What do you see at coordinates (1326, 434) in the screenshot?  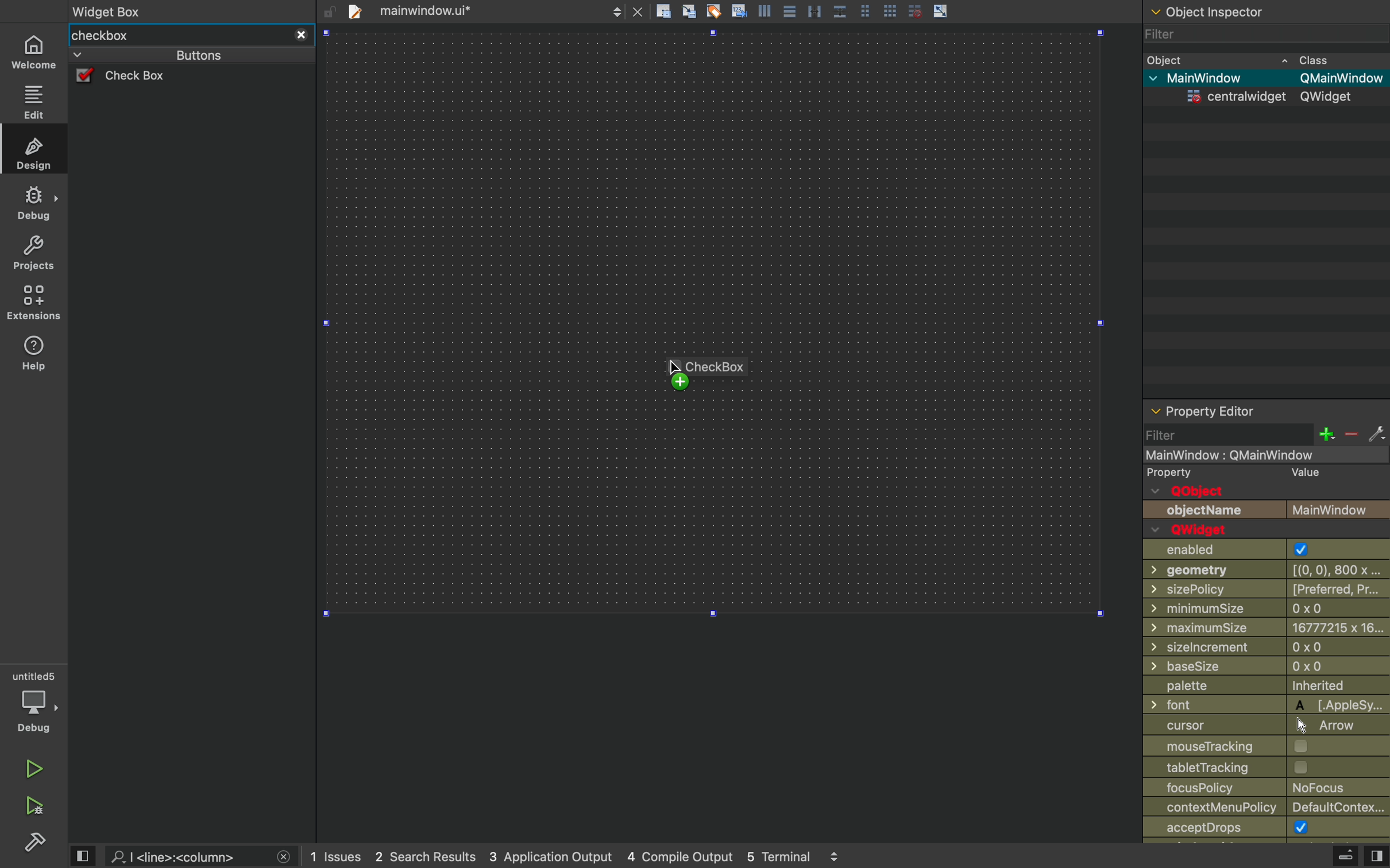 I see `plus` at bounding box center [1326, 434].